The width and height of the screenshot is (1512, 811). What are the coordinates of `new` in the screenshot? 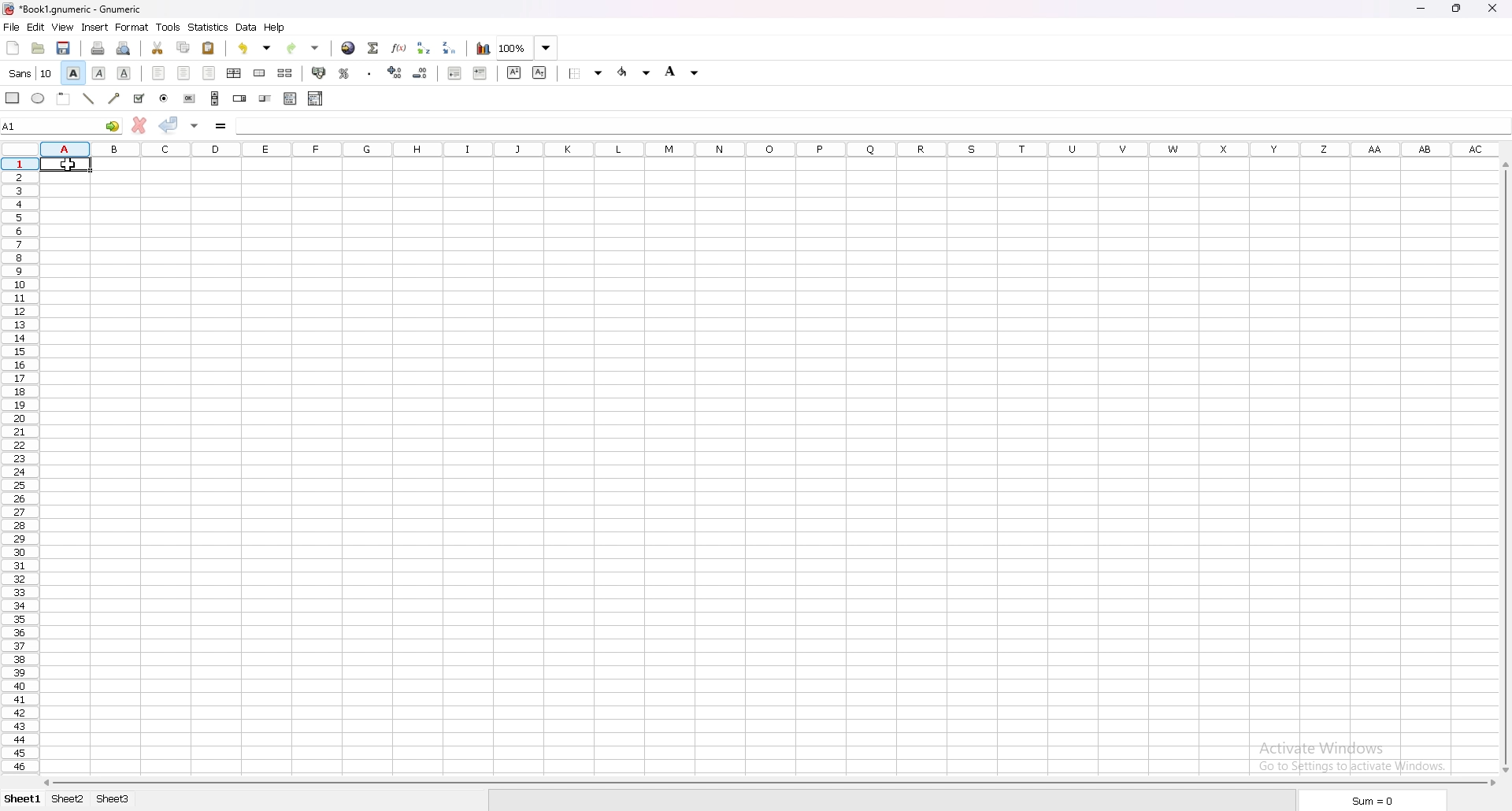 It's located at (13, 48).